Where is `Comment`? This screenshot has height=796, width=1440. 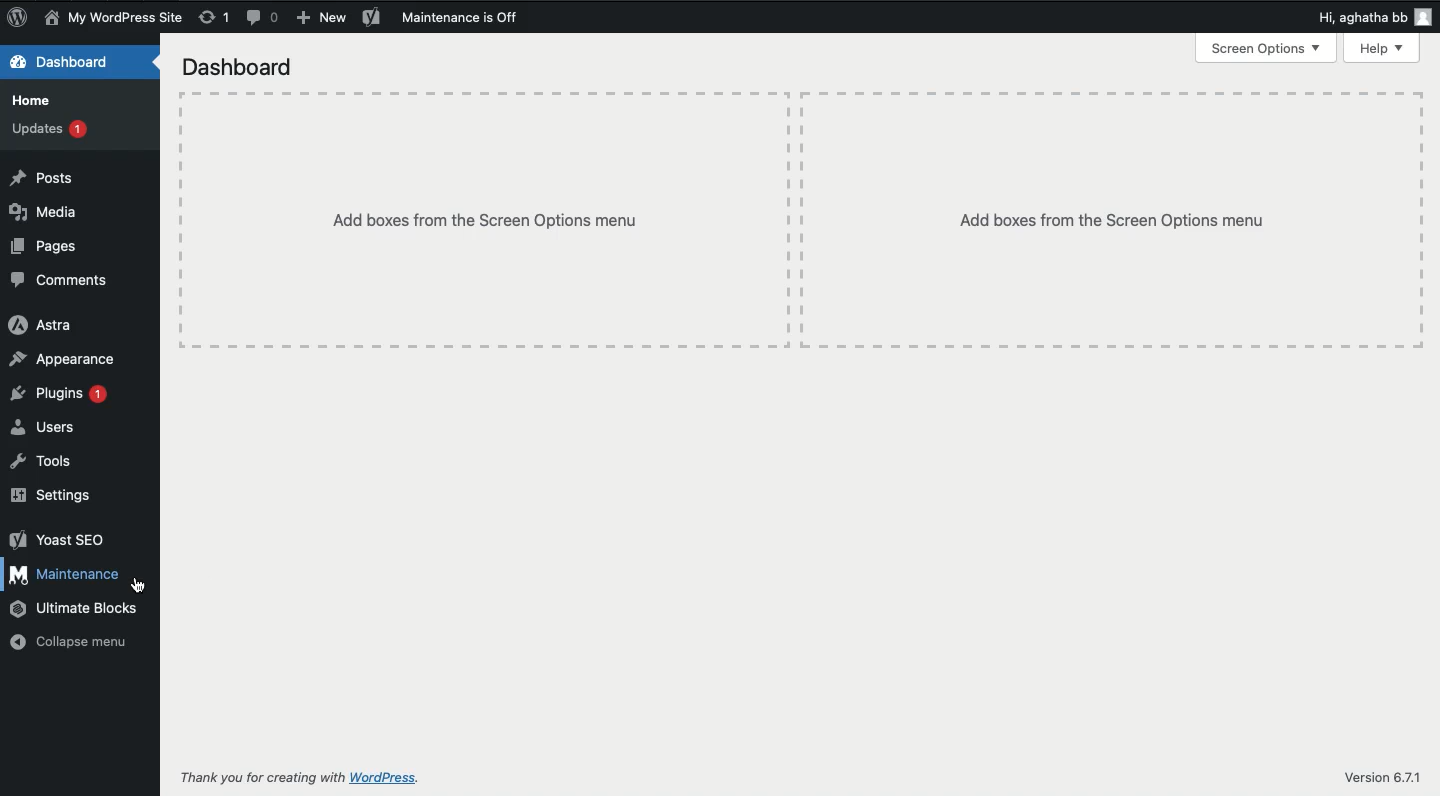
Comment is located at coordinates (262, 15).